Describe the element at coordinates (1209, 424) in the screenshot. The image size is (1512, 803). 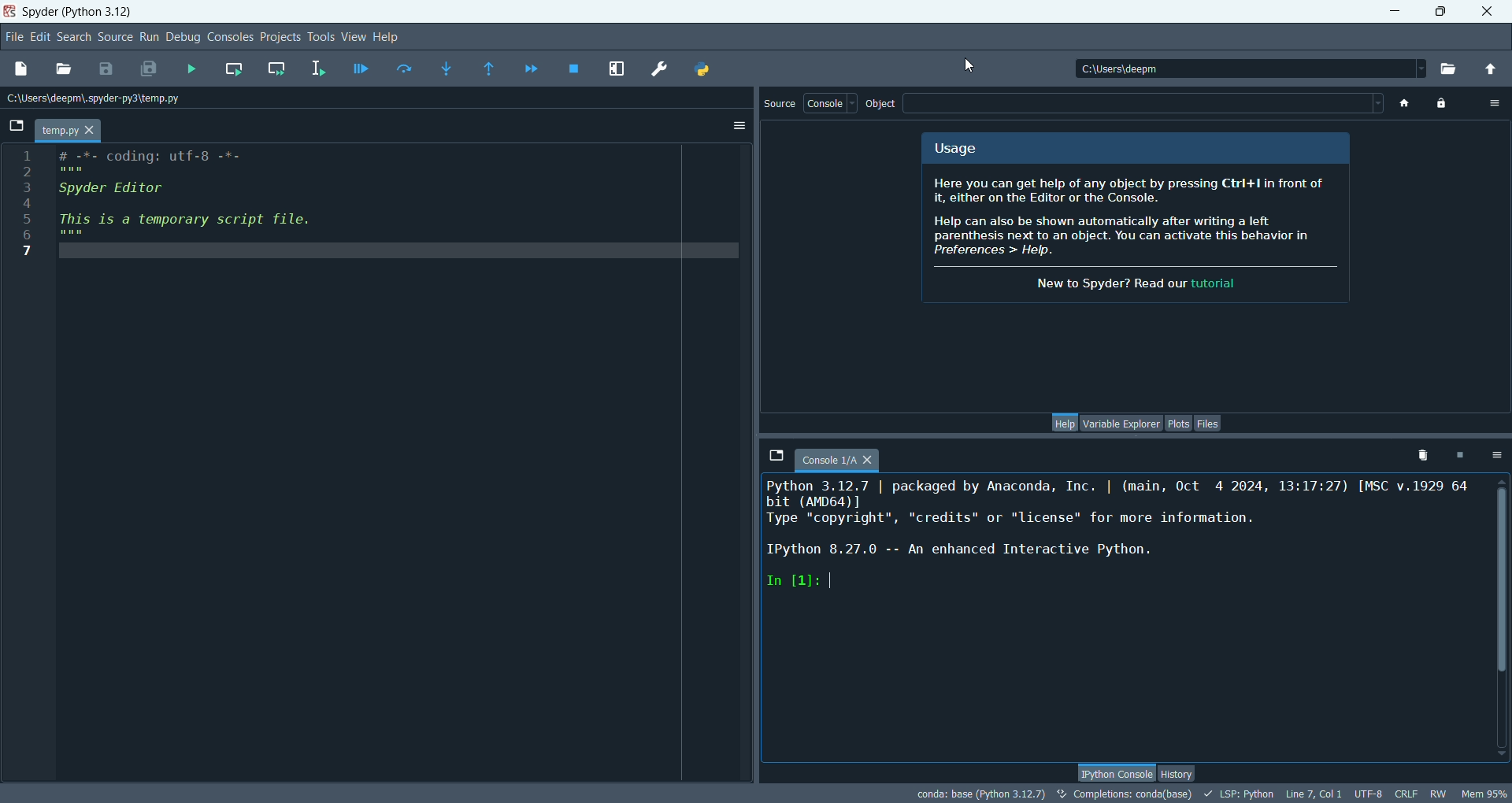
I see `files` at that location.